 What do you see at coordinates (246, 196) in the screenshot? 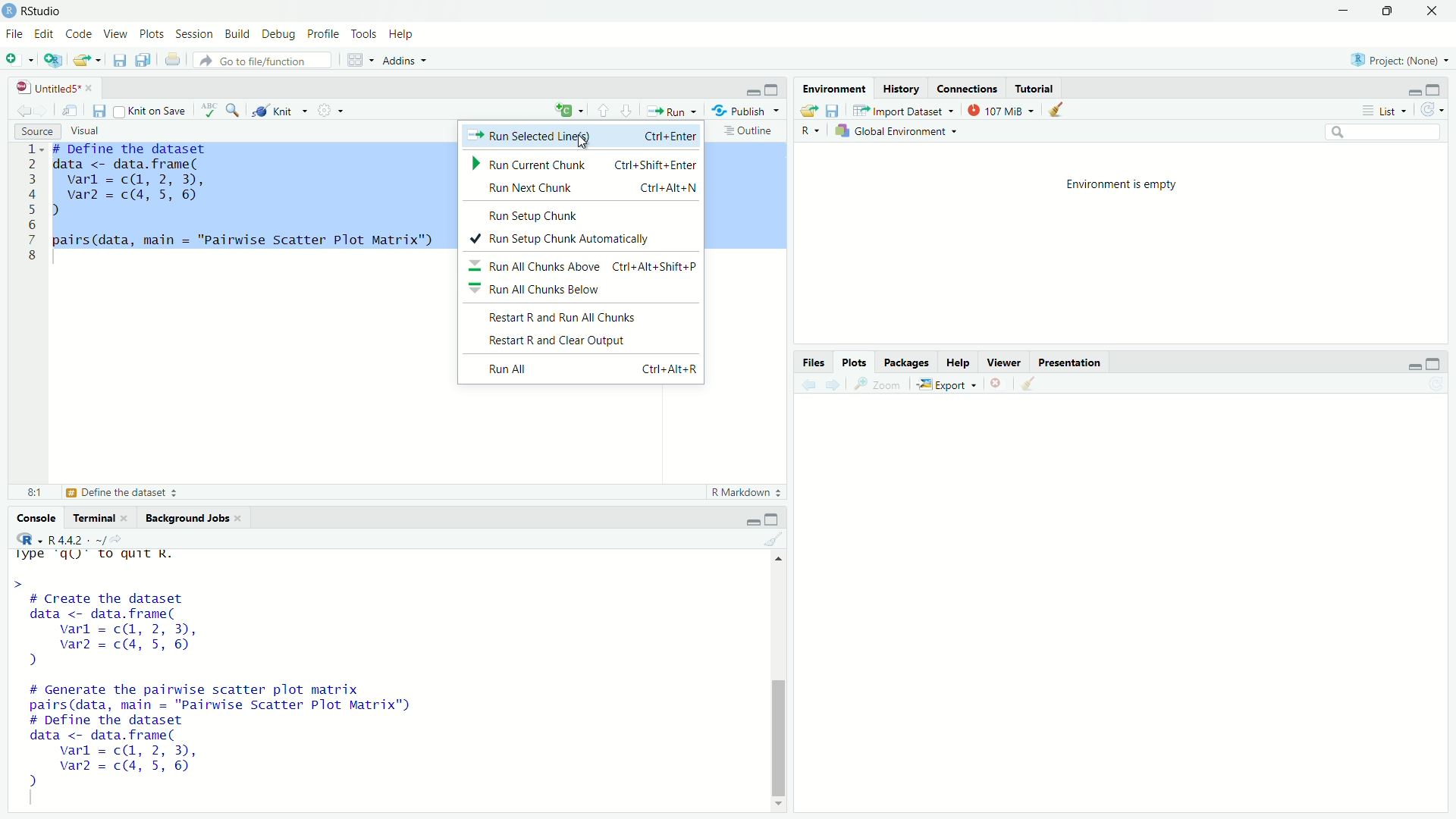
I see `# DeTine the dataset
data <- data.frame(
varl = c(1, 2, 3),
var = c(4, 5, 6)
)
pairs(data, main = "Pairwise Scatter Plot Matrix")` at bounding box center [246, 196].